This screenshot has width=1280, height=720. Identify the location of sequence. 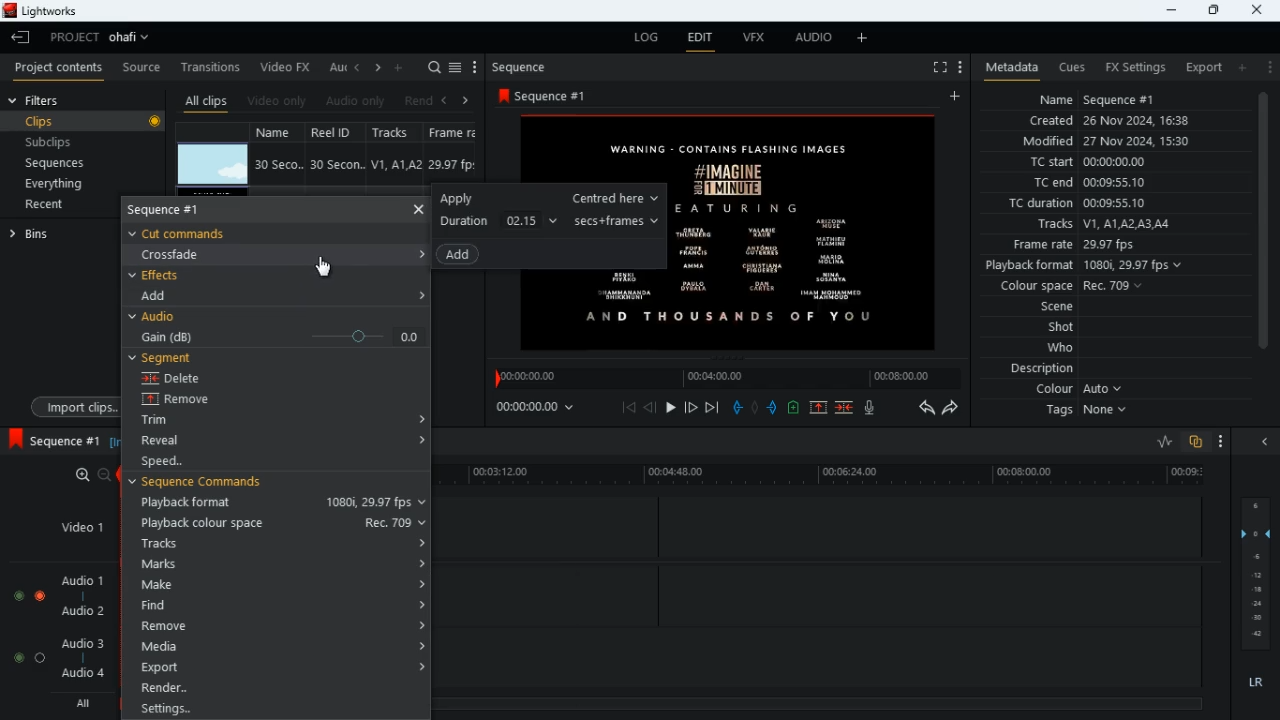
(558, 95).